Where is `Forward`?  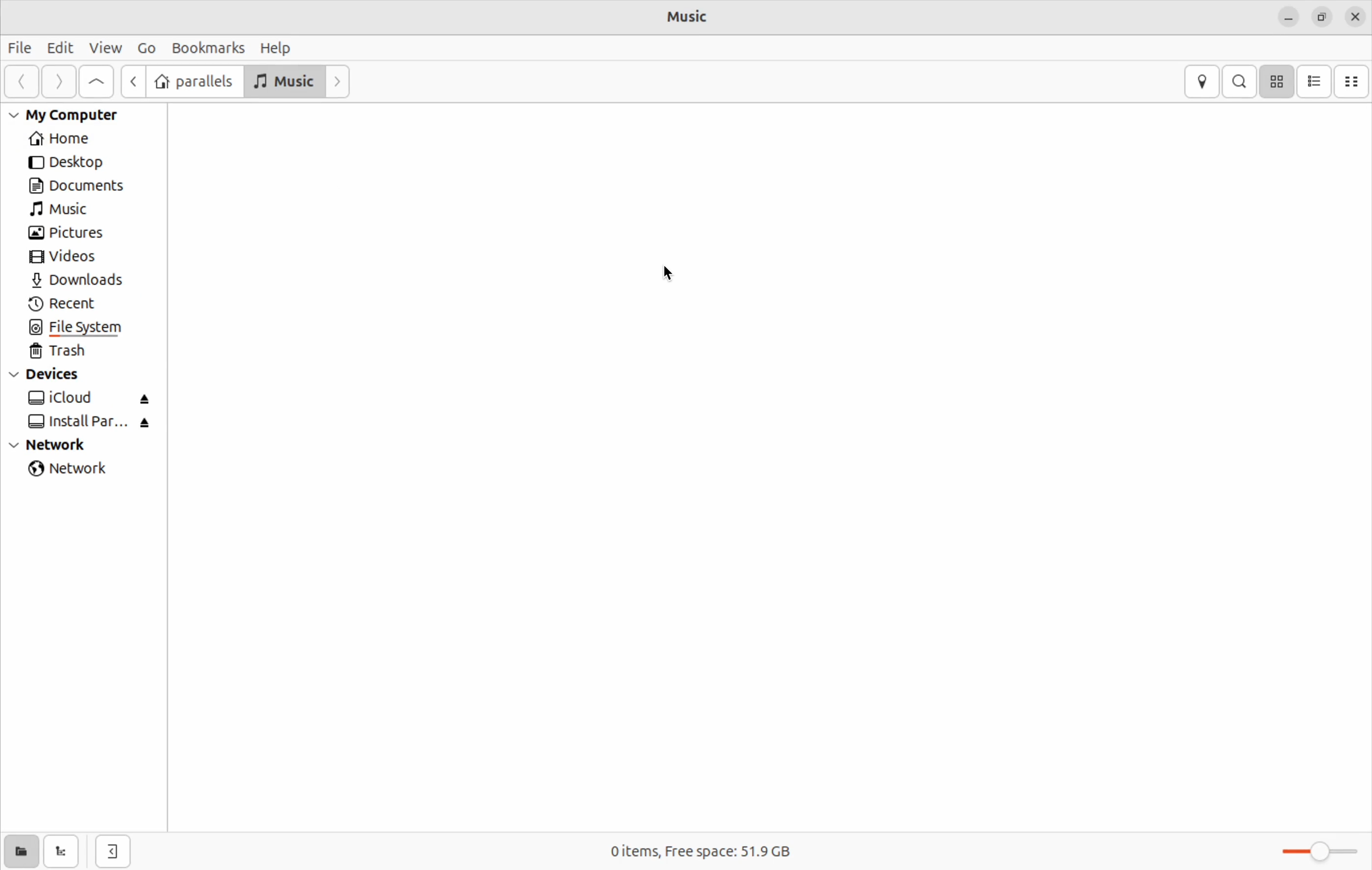 Forward is located at coordinates (338, 80).